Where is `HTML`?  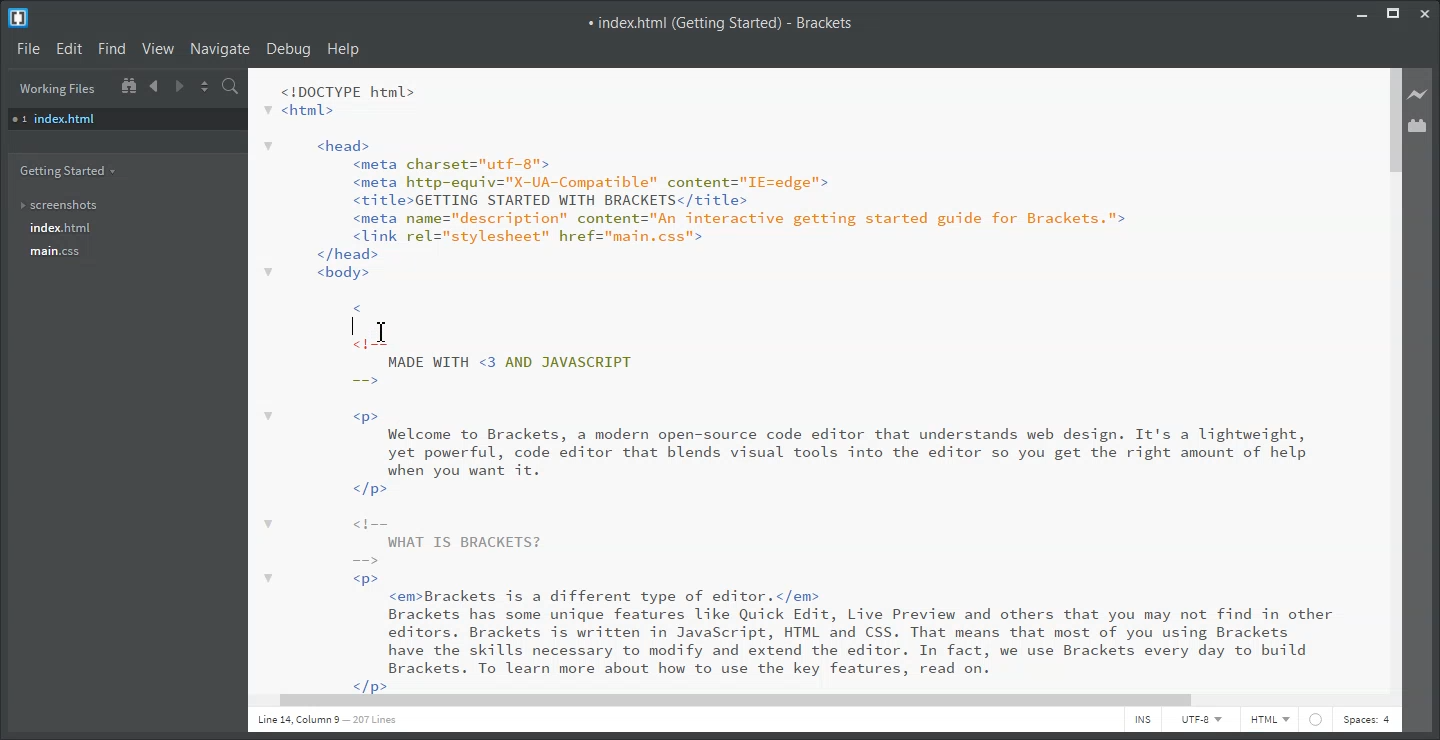
HTML is located at coordinates (1271, 721).